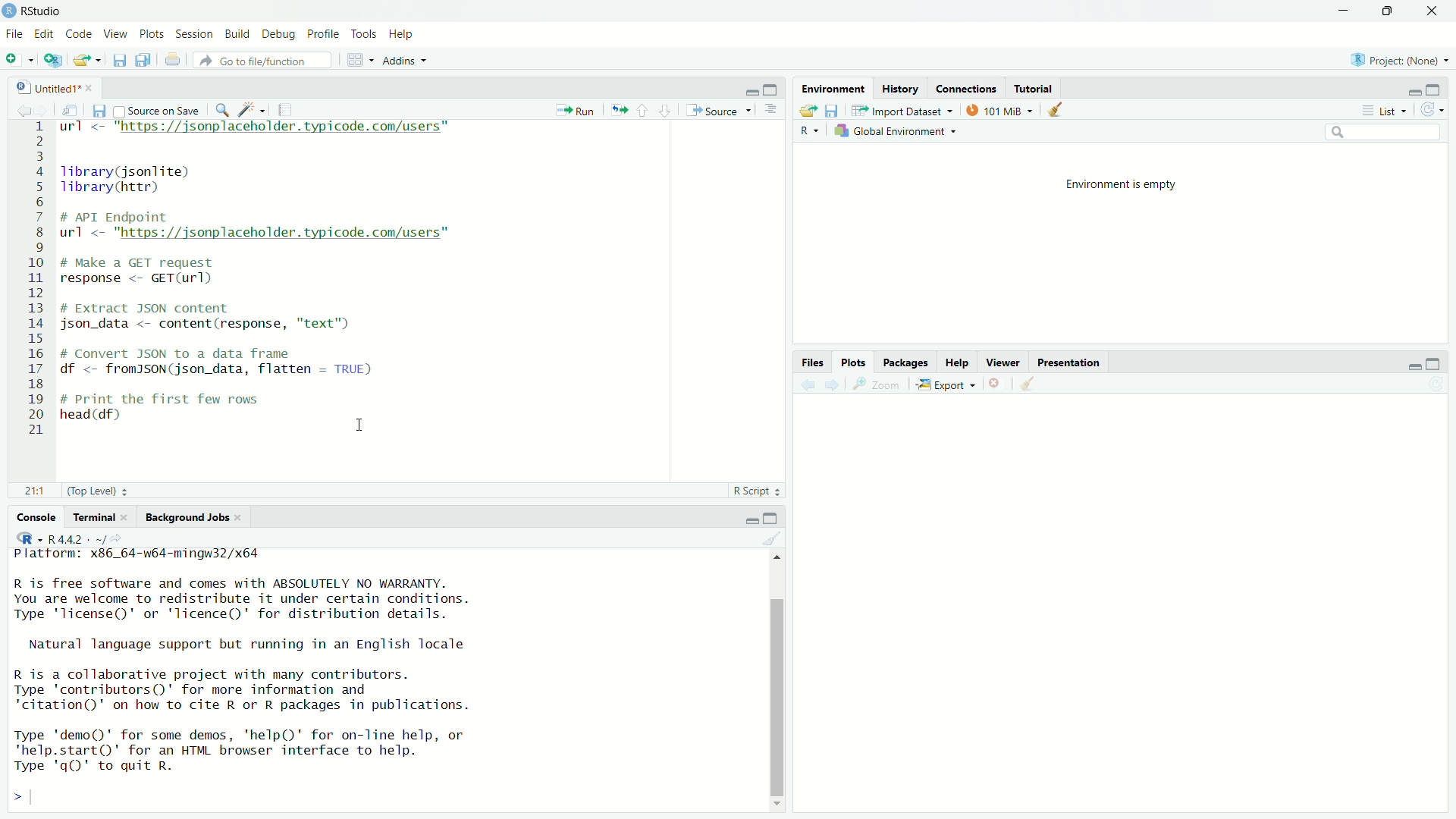 Image resolution: width=1456 pixels, height=819 pixels. I want to click on Save, so click(118, 58).